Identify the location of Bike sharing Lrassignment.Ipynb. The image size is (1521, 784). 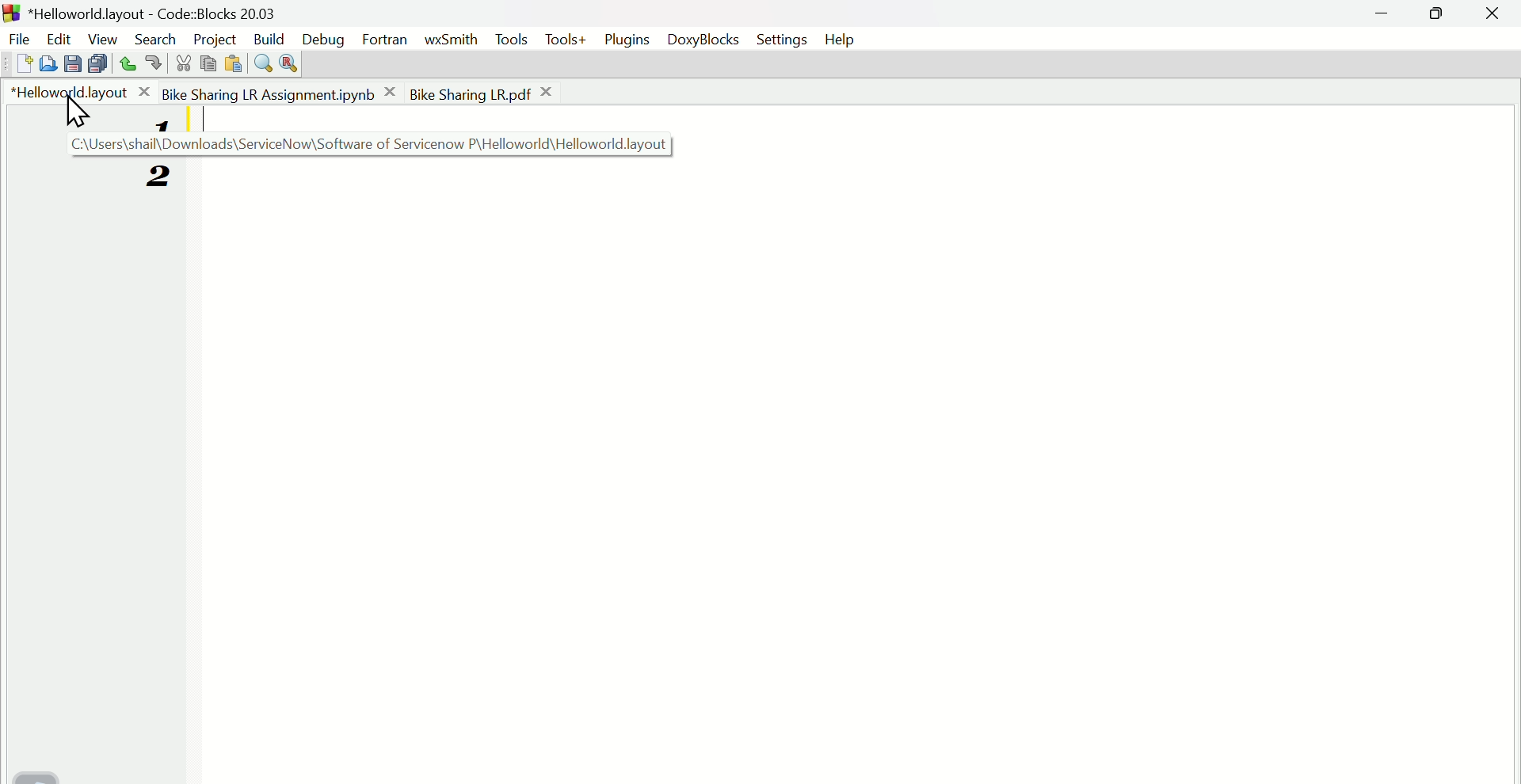
(280, 92).